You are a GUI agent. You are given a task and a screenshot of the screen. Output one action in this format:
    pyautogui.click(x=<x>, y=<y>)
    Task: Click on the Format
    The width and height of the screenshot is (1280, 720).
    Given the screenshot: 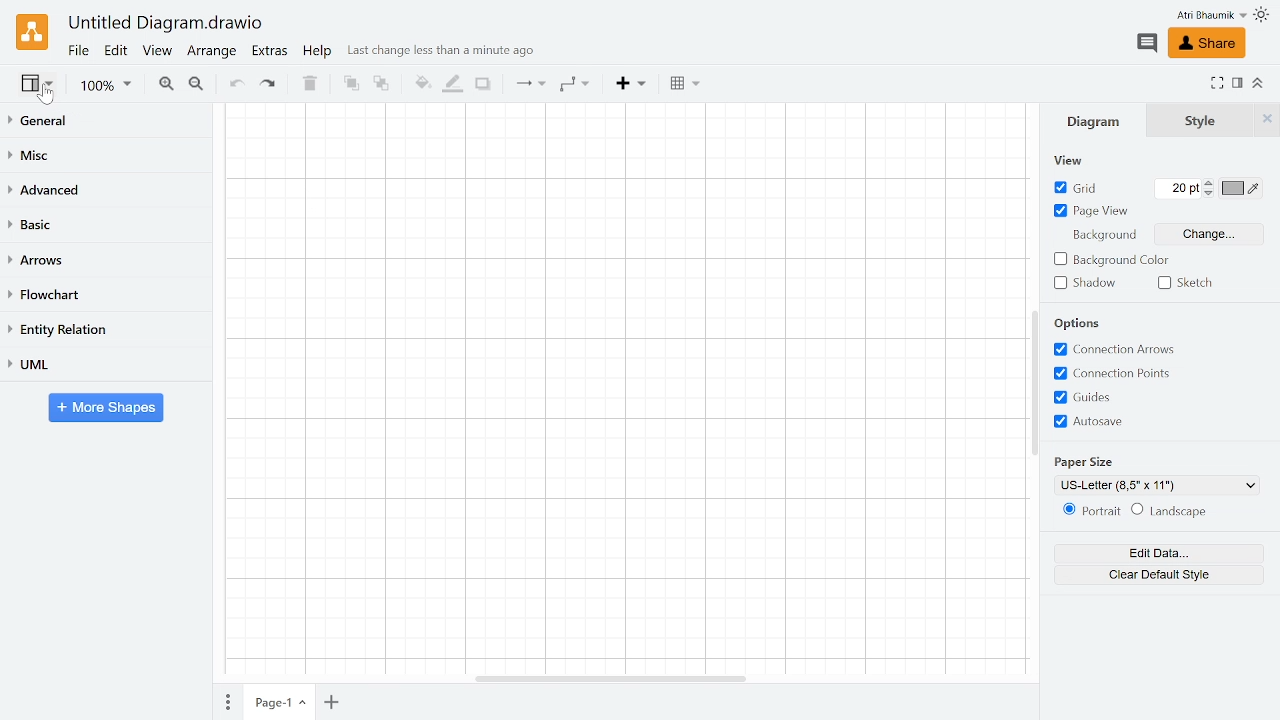 What is the action you would take?
    pyautogui.click(x=1238, y=83)
    